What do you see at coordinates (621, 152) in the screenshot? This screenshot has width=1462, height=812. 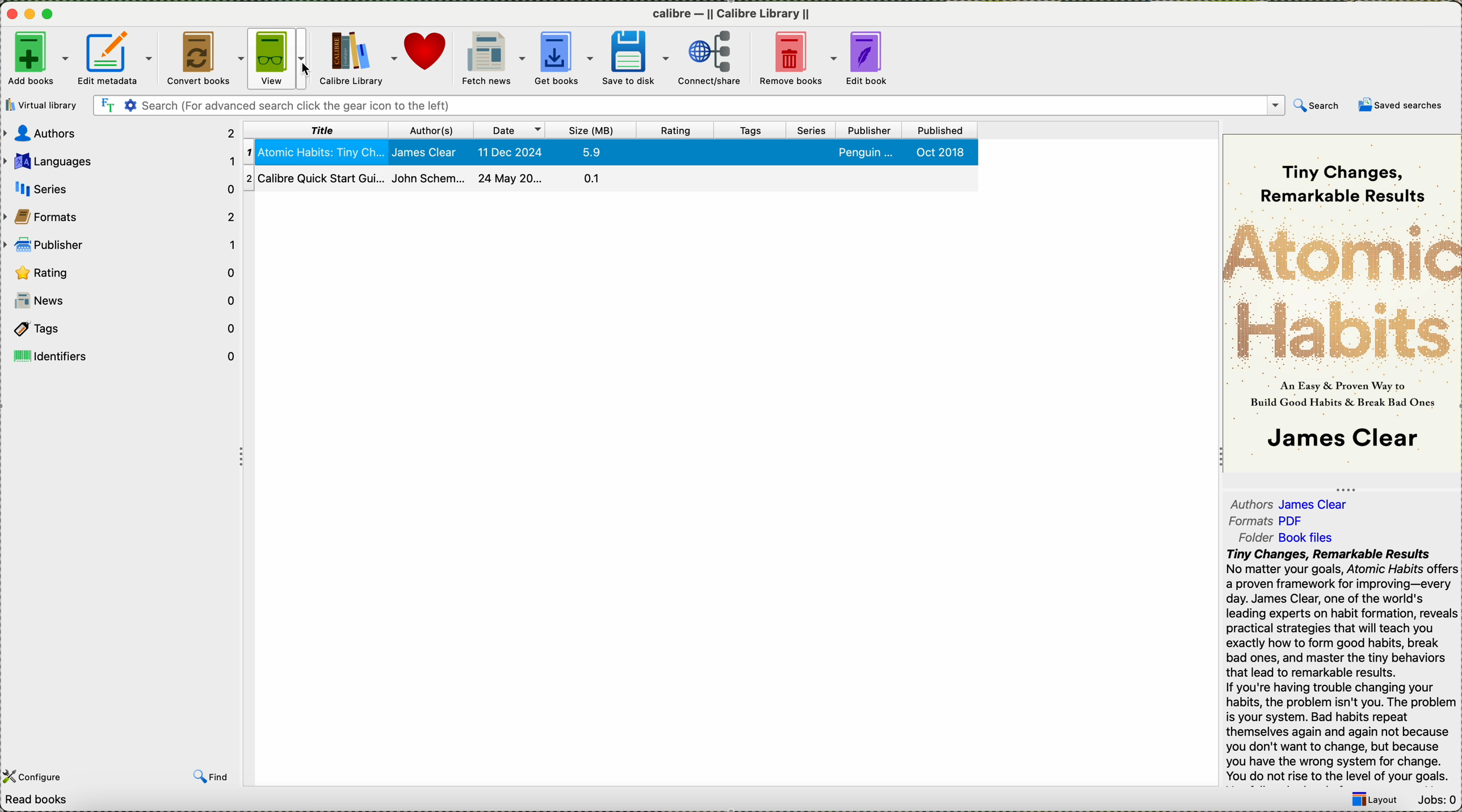 I see `Atomic habit James clear` at bounding box center [621, 152].